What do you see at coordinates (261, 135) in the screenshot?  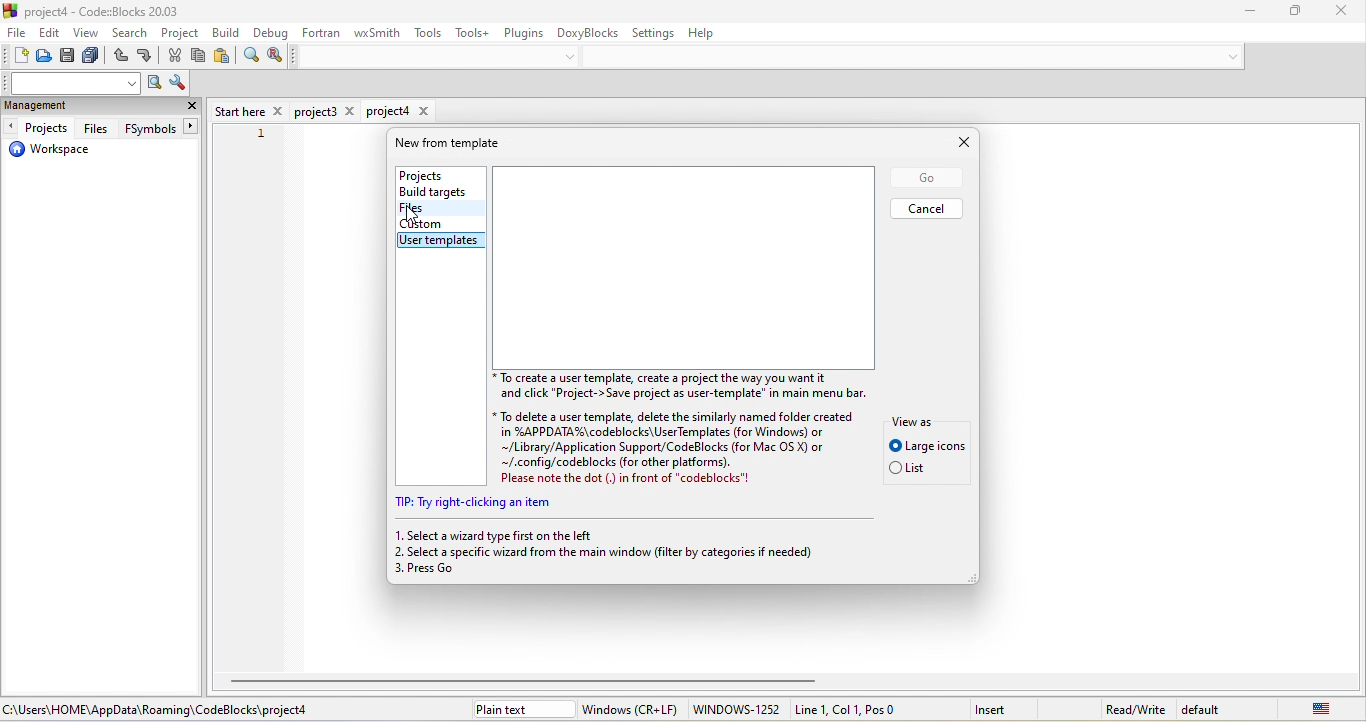 I see `1` at bounding box center [261, 135].